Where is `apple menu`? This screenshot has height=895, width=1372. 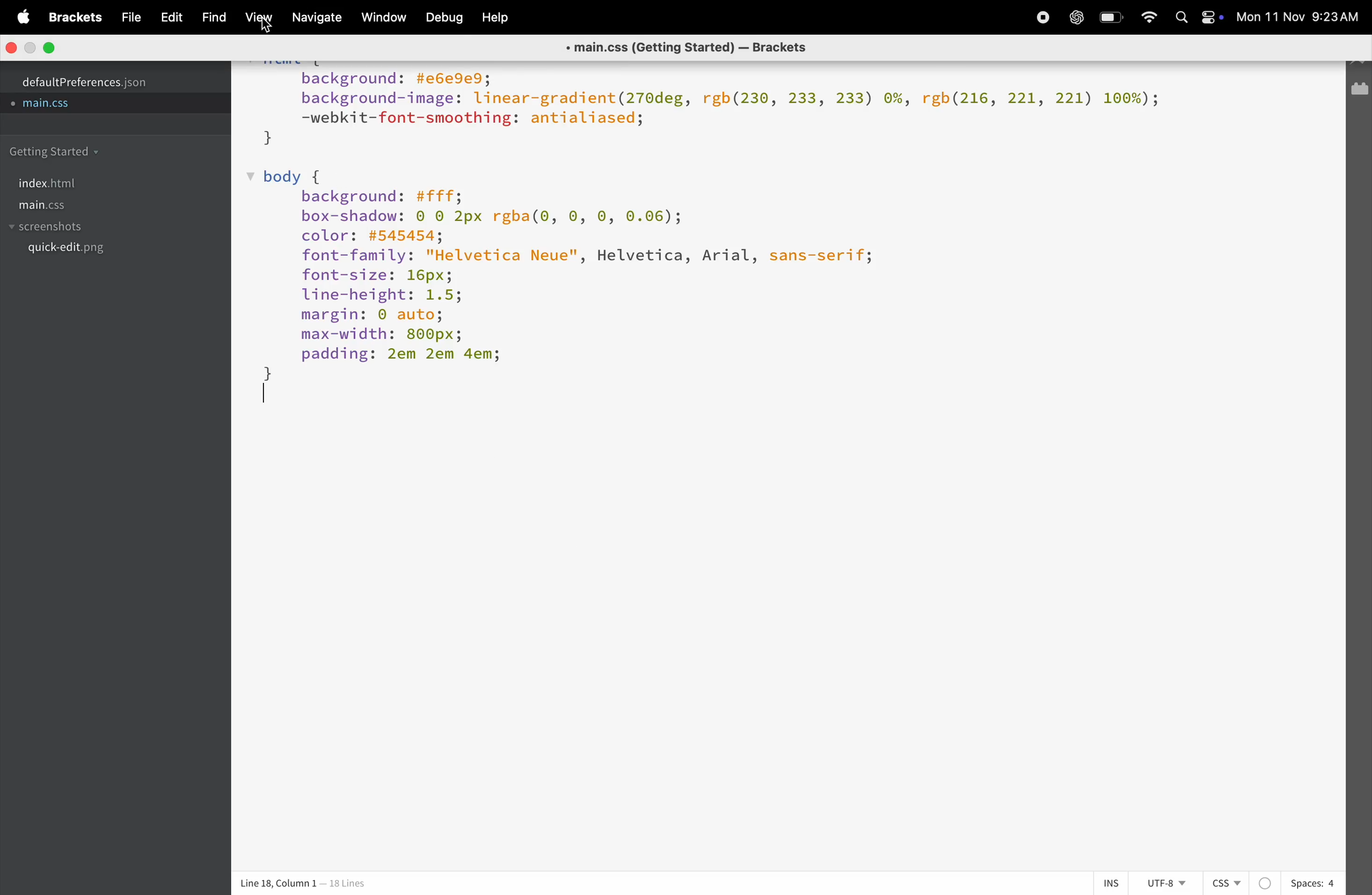
apple menu is located at coordinates (17, 16).